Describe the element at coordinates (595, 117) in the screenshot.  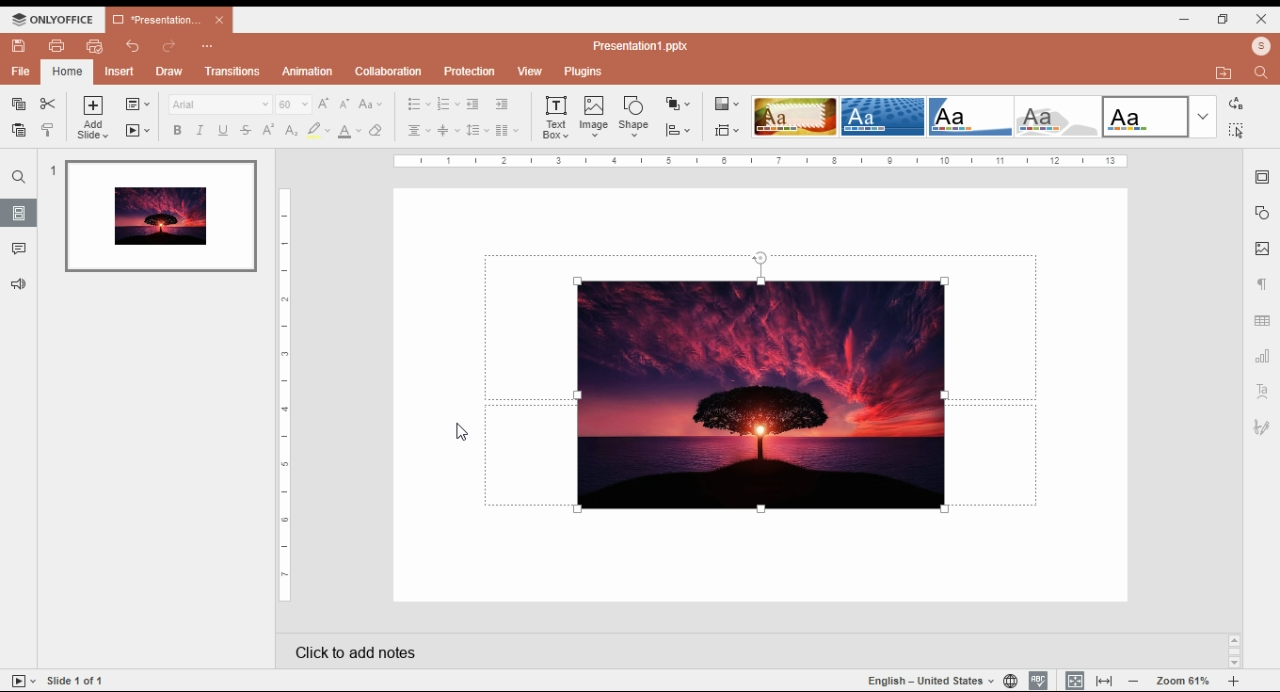
I see `insert image` at that location.